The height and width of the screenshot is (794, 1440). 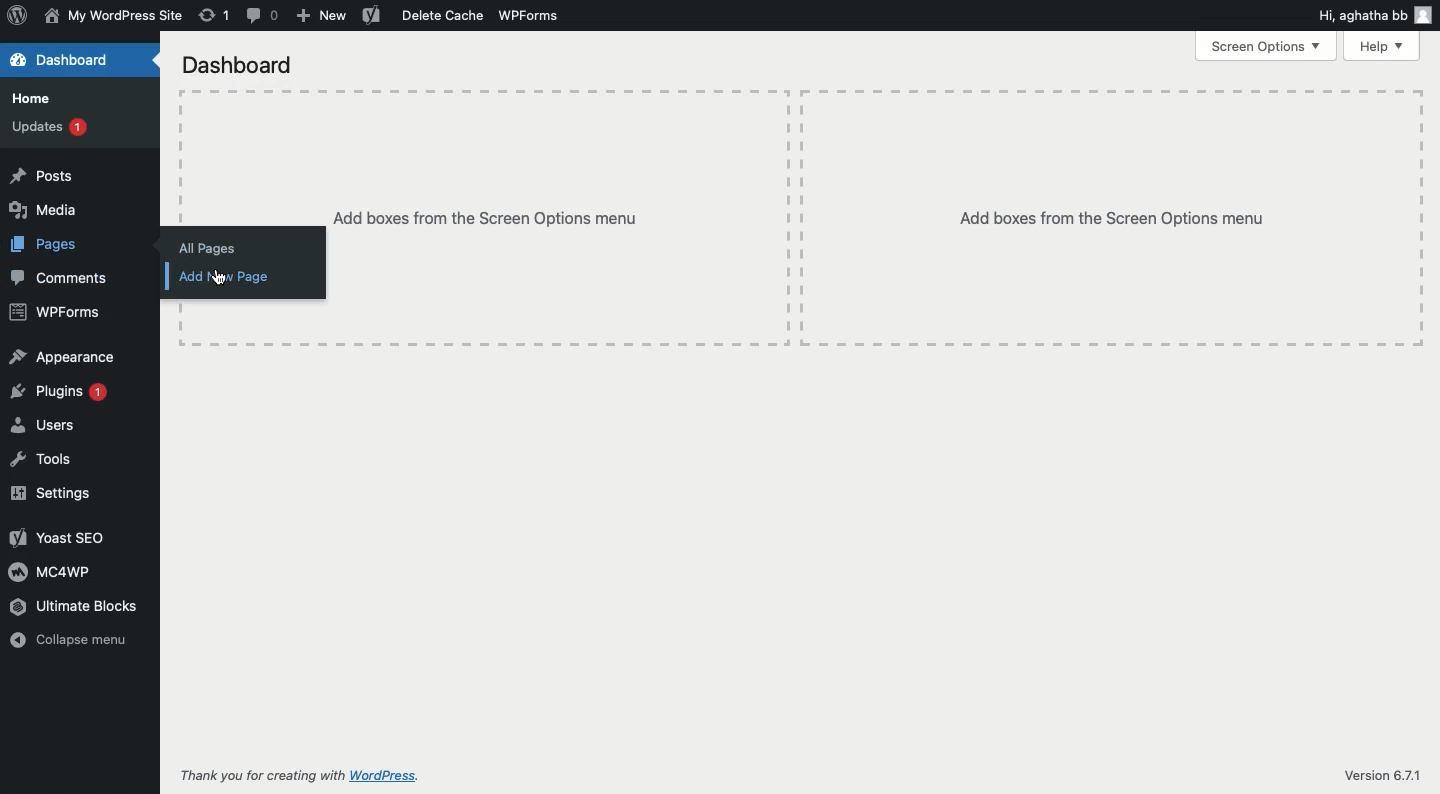 What do you see at coordinates (238, 66) in the screenshot?
I see `Dashboard` at bounding box center [238, 66].